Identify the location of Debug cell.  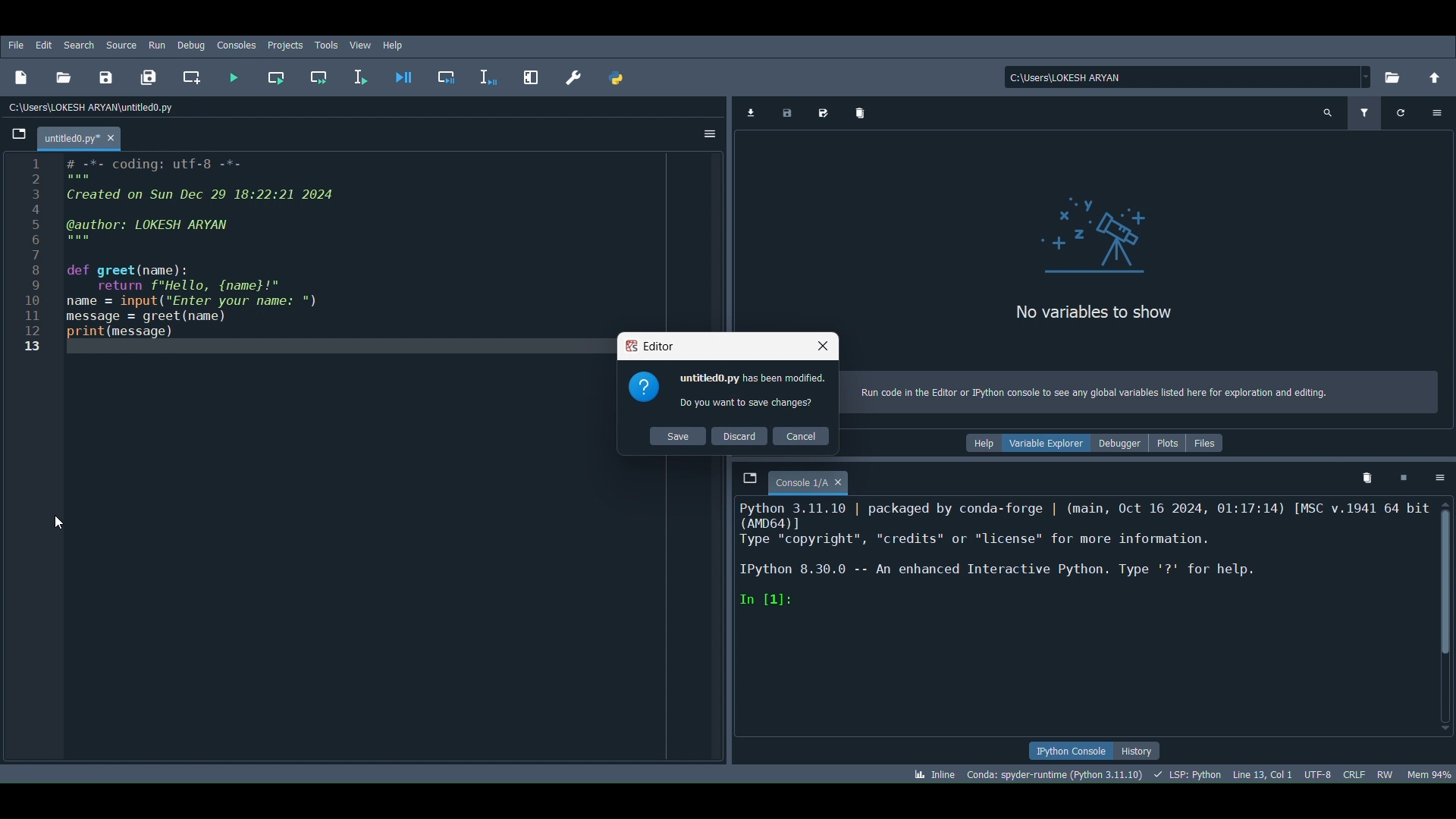
(447, 76).